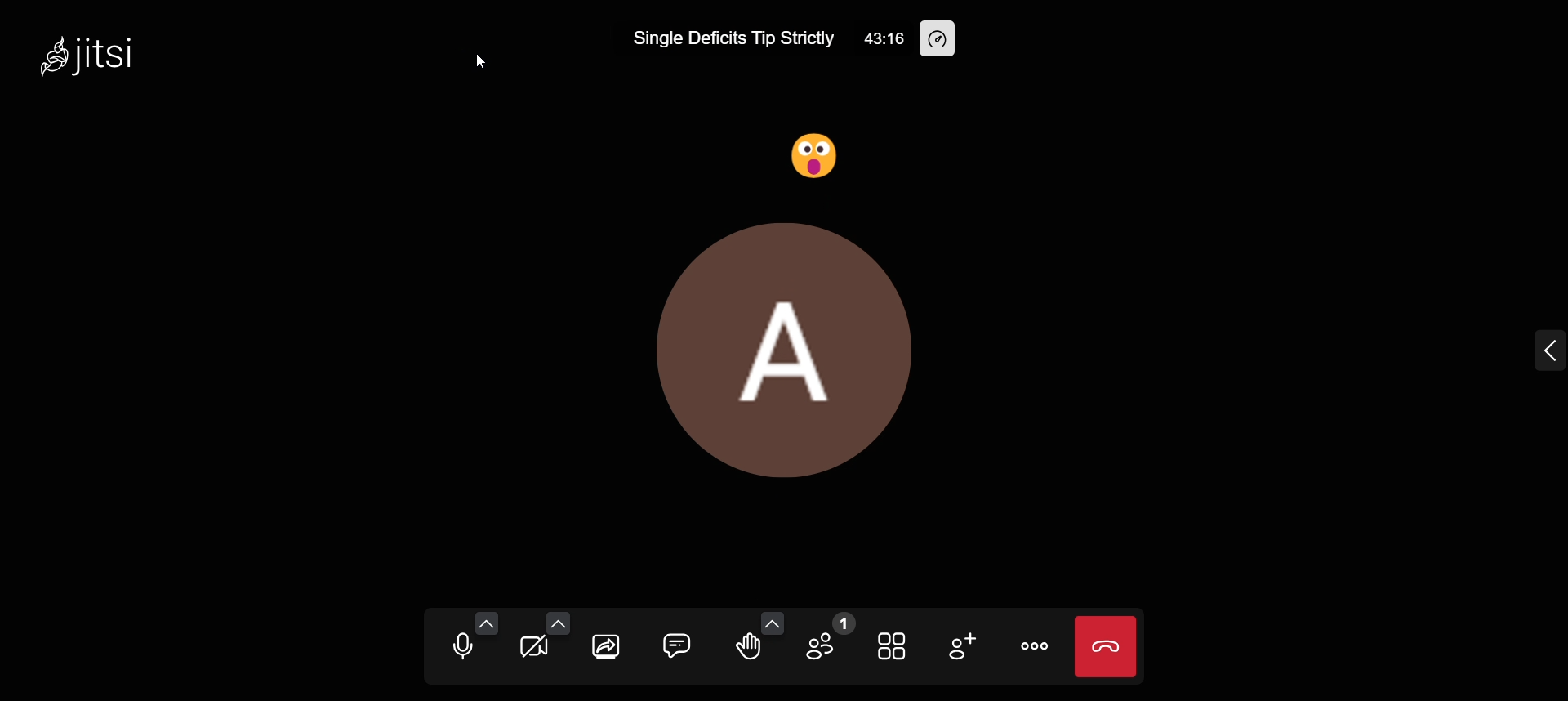 The width and height of the screenshot is (1568, 701). What do you see at coordinates (732, 41) in the screenshot?
I see `Single Deficits Tip Strictly` at bounding box center [732, 41].